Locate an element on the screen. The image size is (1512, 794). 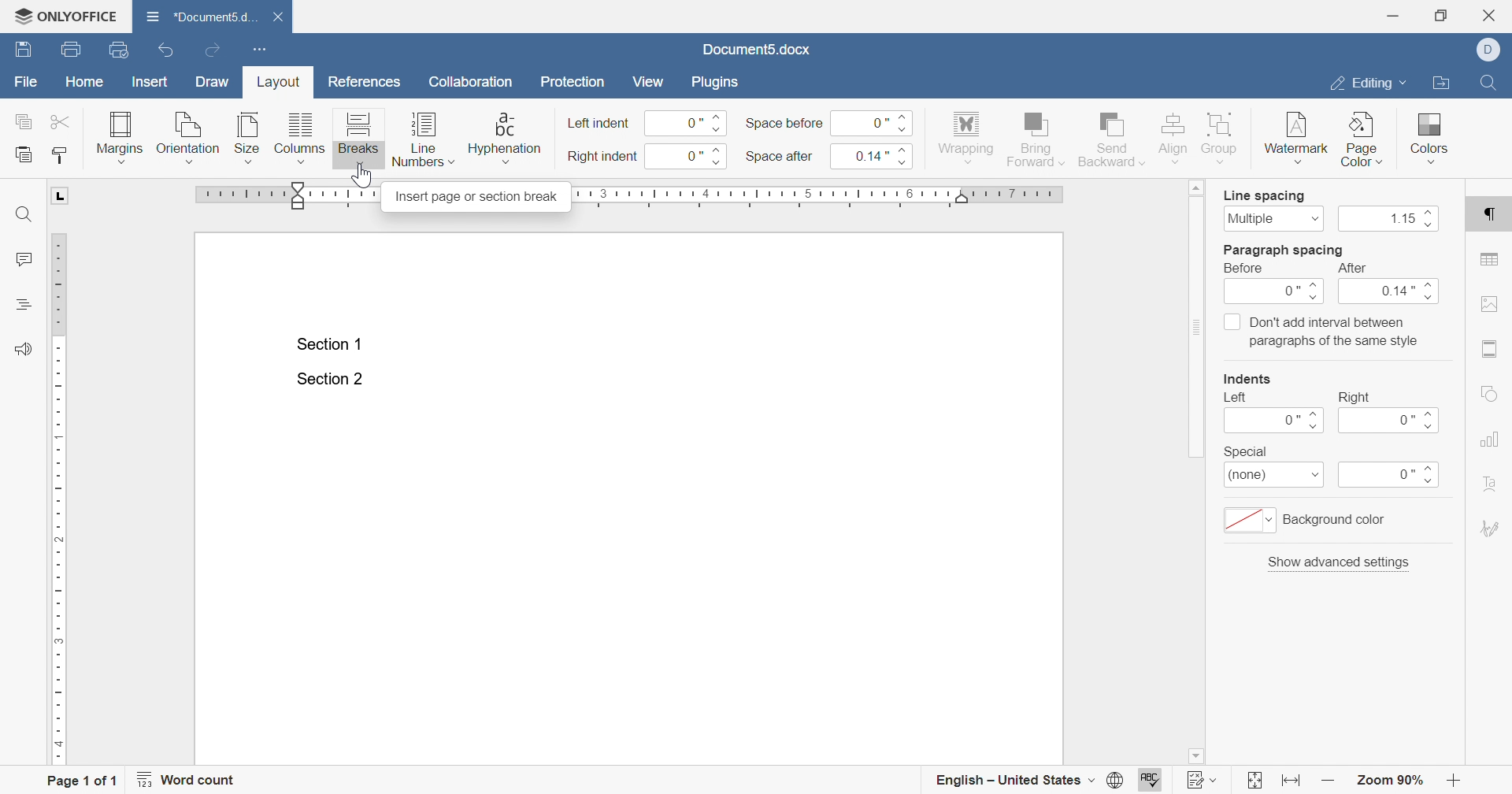
right is located at coordinates (1354, 397).